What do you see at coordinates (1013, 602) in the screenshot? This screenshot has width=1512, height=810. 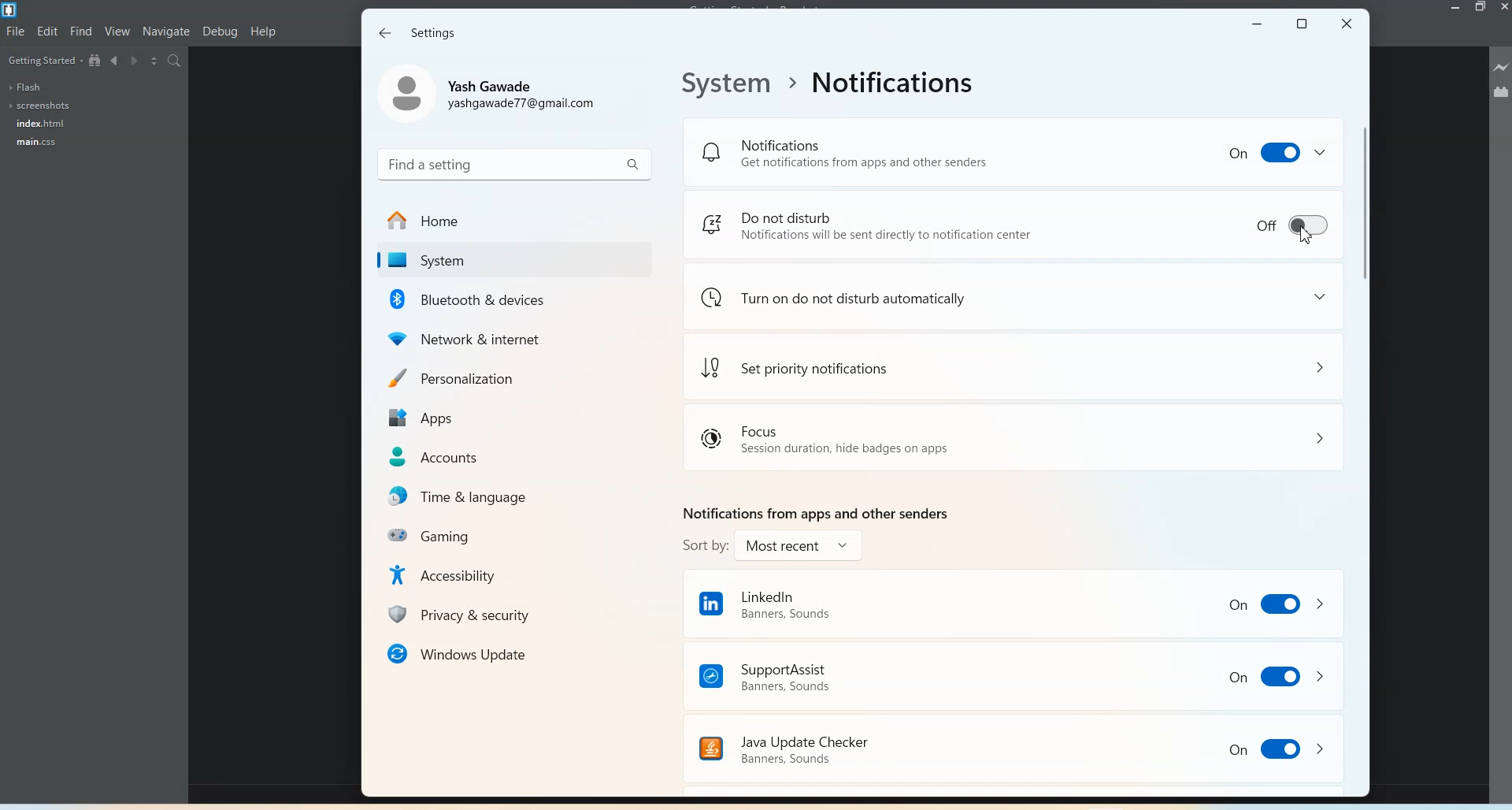 I see `LinkedIn` at bounding box center [1013, 602].